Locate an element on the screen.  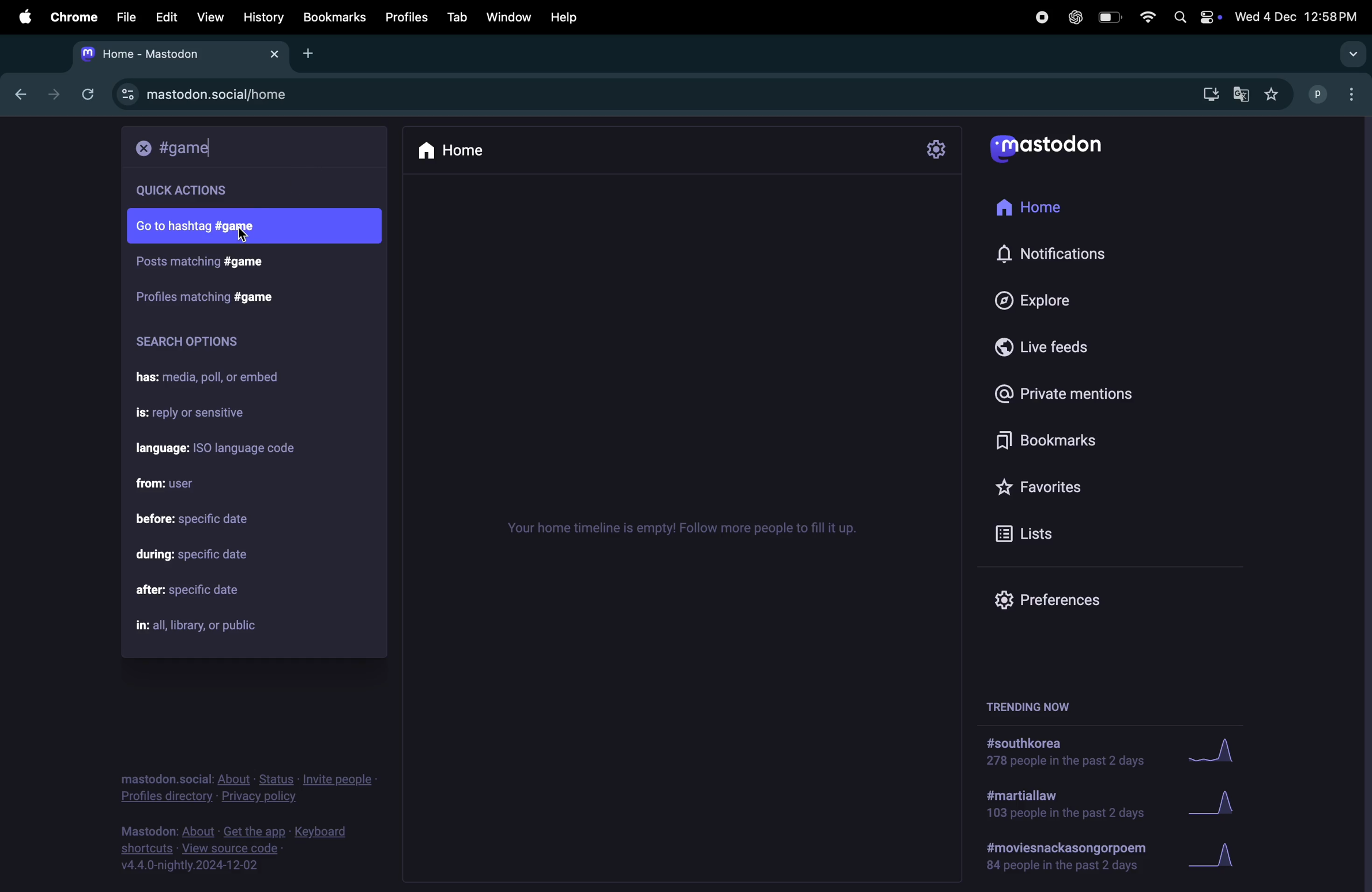
view source code is located at coordinates (240, 849).